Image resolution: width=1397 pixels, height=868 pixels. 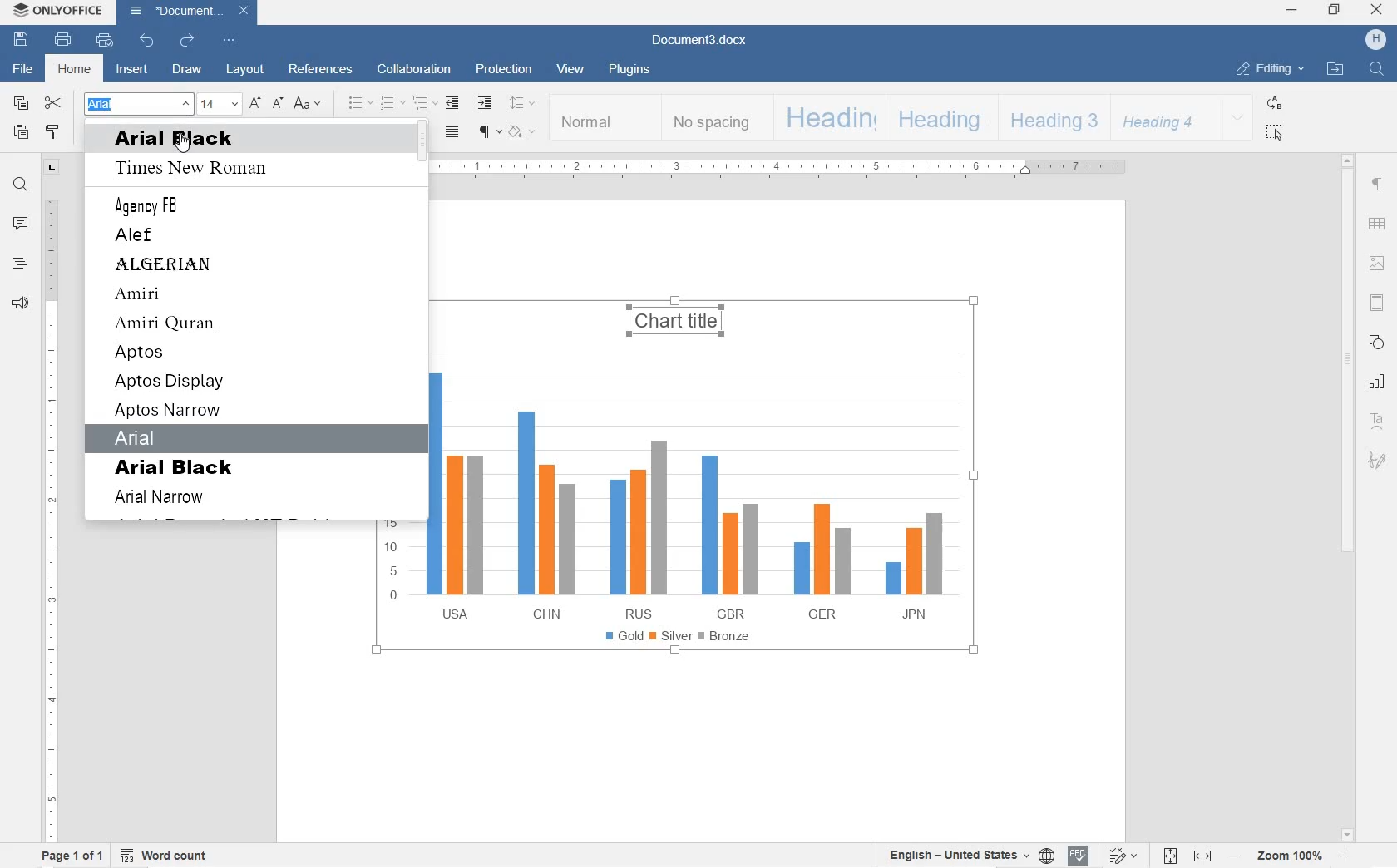 I want to click on INCREMENT FONT SIZE, so click(x=256, y=103).